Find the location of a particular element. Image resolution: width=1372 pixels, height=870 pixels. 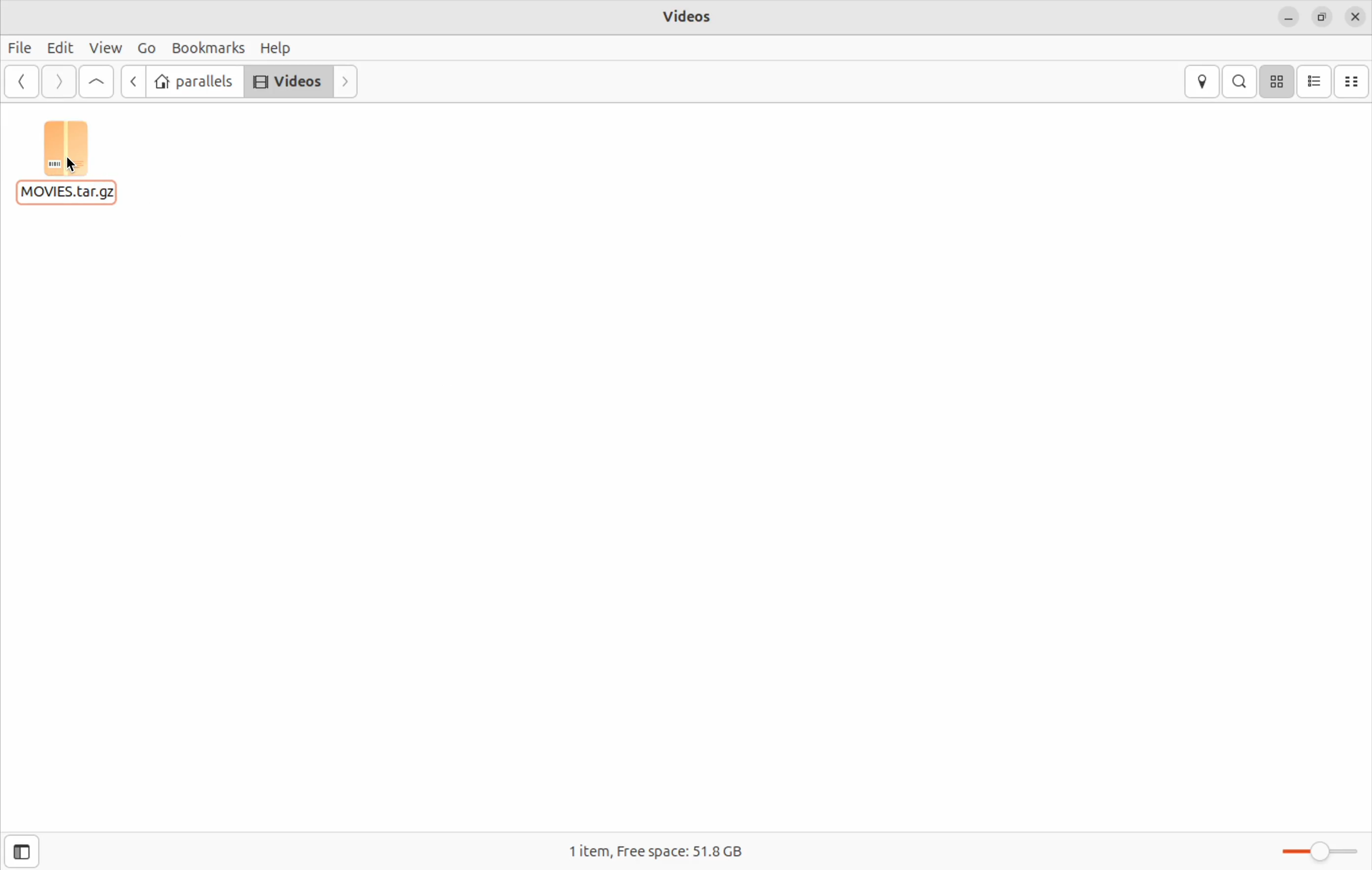

compact view is located at coordinates (1353, 81).